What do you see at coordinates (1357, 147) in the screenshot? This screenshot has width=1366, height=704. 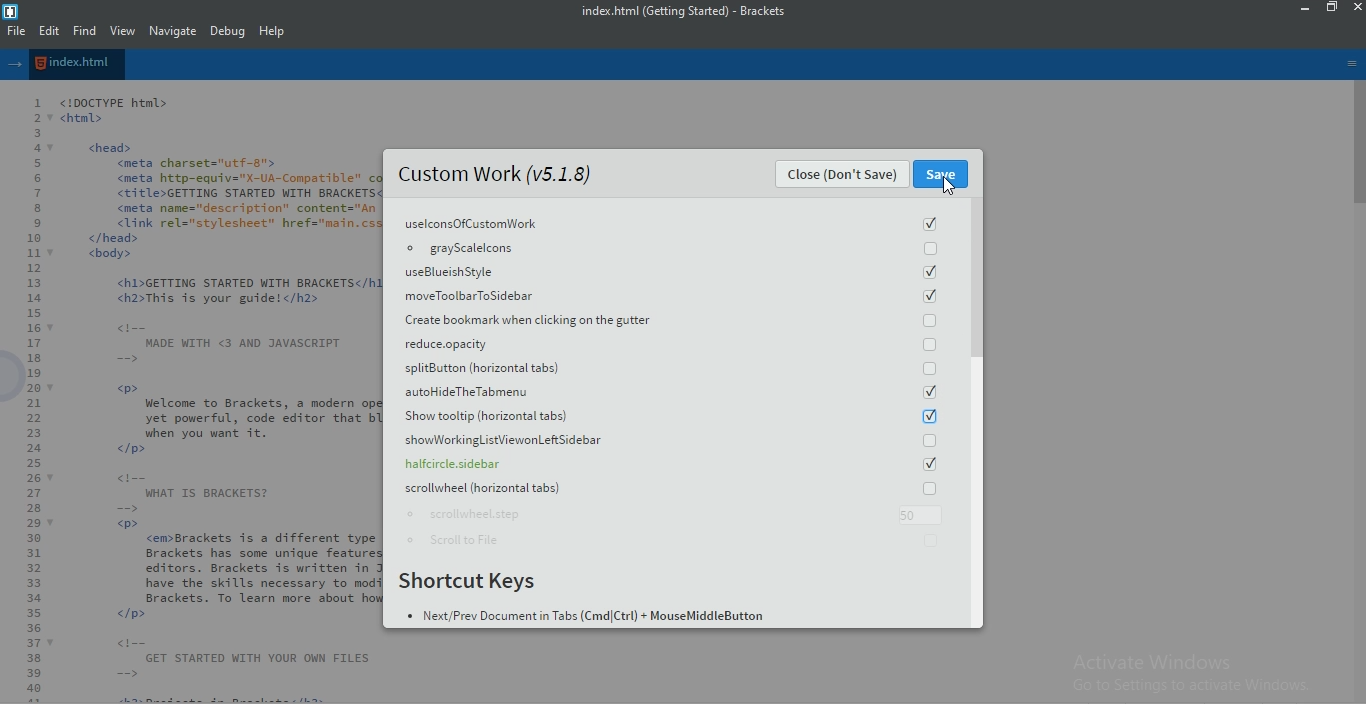 I see `scroll bar` at bounding box center [1357, 147].